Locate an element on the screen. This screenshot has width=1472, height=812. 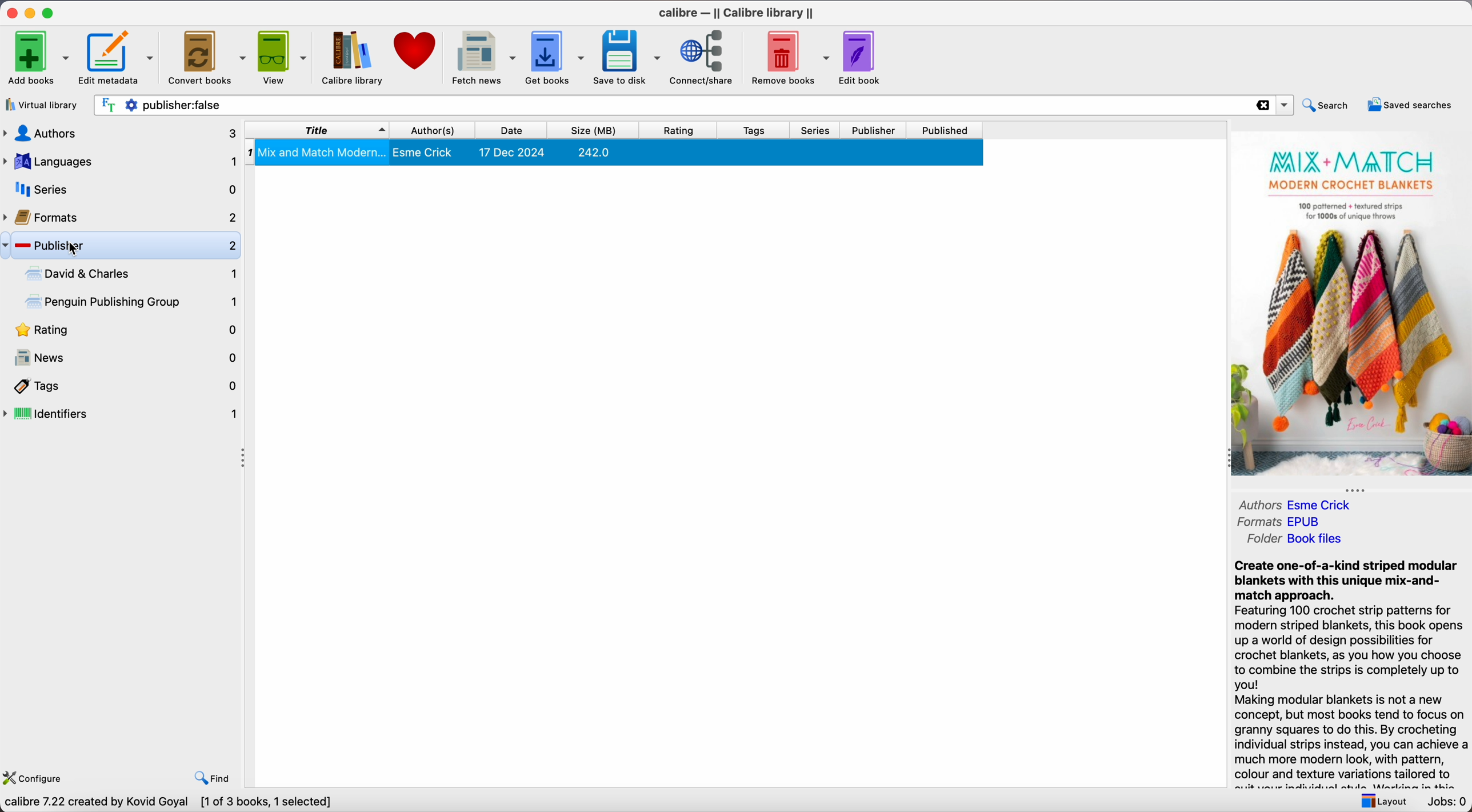
date is located at coordinates (517, 130).